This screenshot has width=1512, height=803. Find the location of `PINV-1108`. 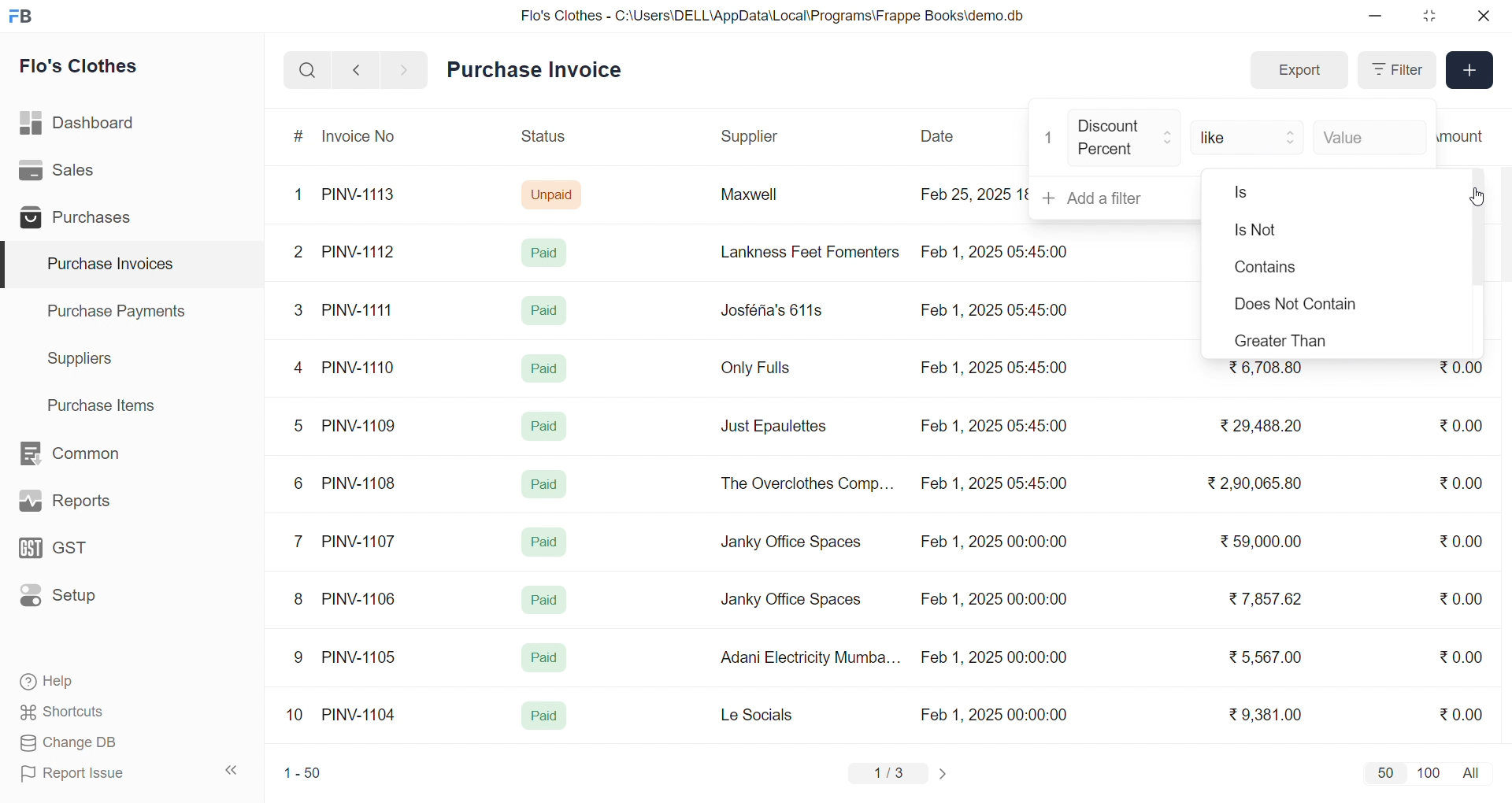

PINV-1108 is located at coordinates (360, 483).